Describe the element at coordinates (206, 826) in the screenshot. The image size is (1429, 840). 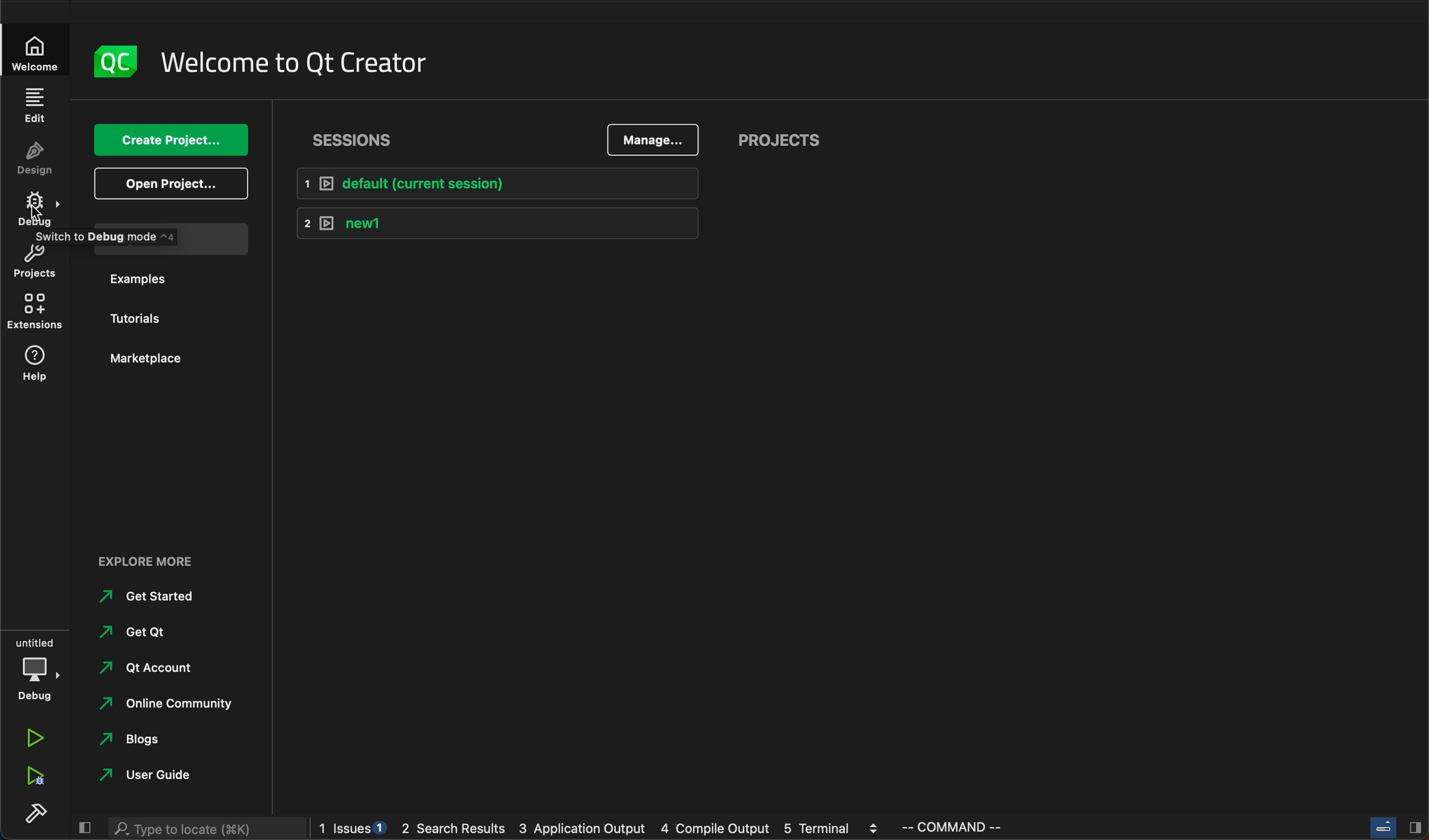
I see `search` at that location.